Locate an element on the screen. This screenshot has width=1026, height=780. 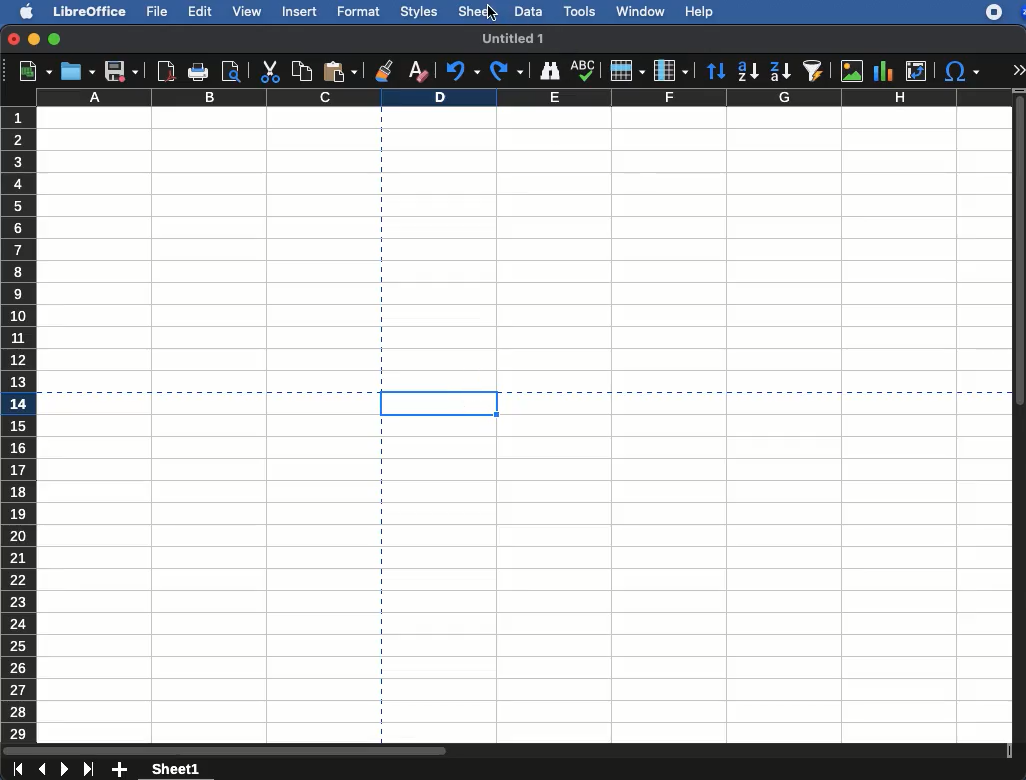
untitled 1 is located at coordinates (515, 39).